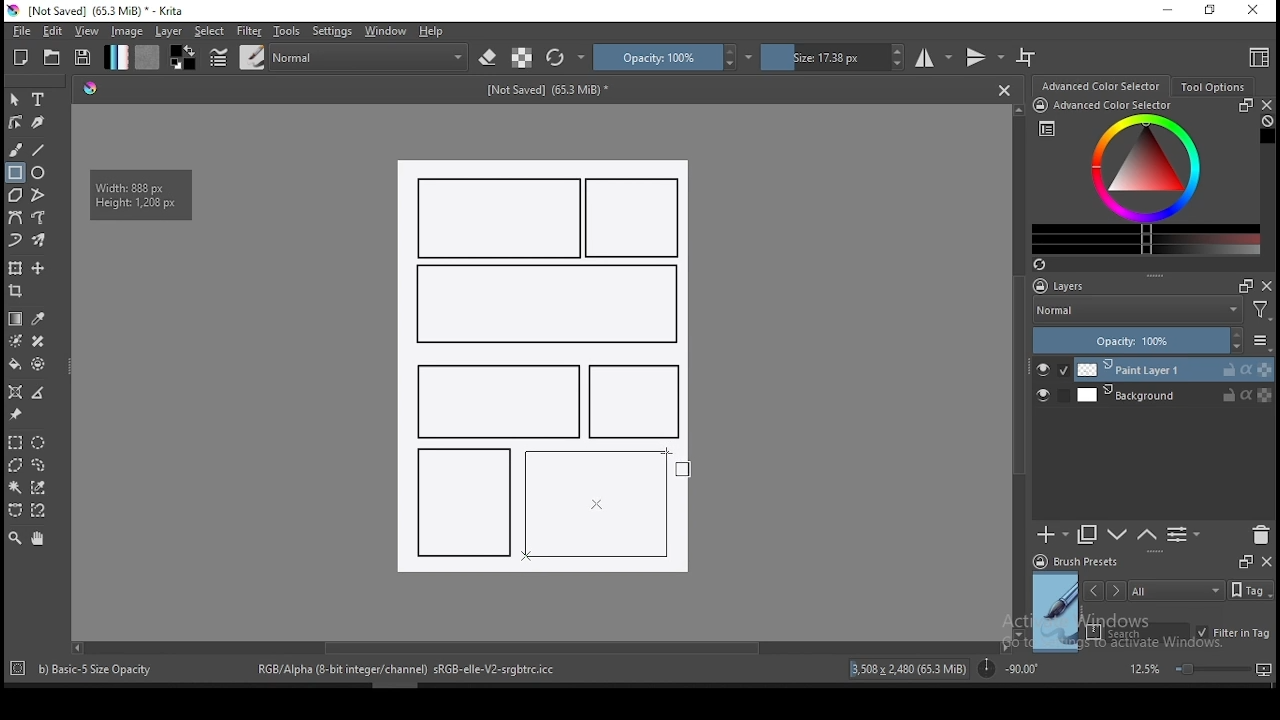 This screenshot has width=1280, height=720. What do you see at coordinates (544, 305) in the screenshot?
I see `new rectangle` at bounding box center [544, 305].